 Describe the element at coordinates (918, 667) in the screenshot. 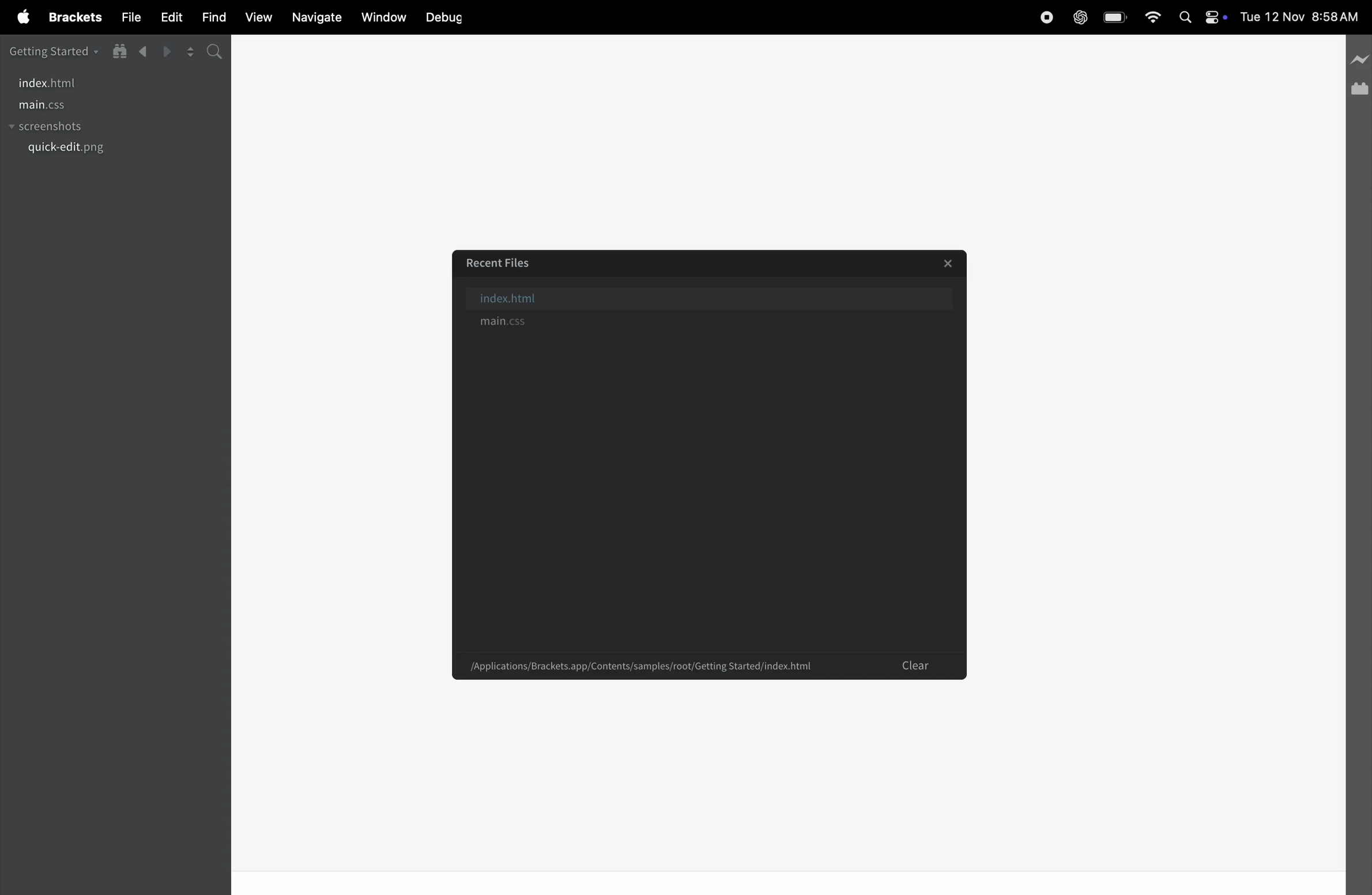

I see `clear` at that location.